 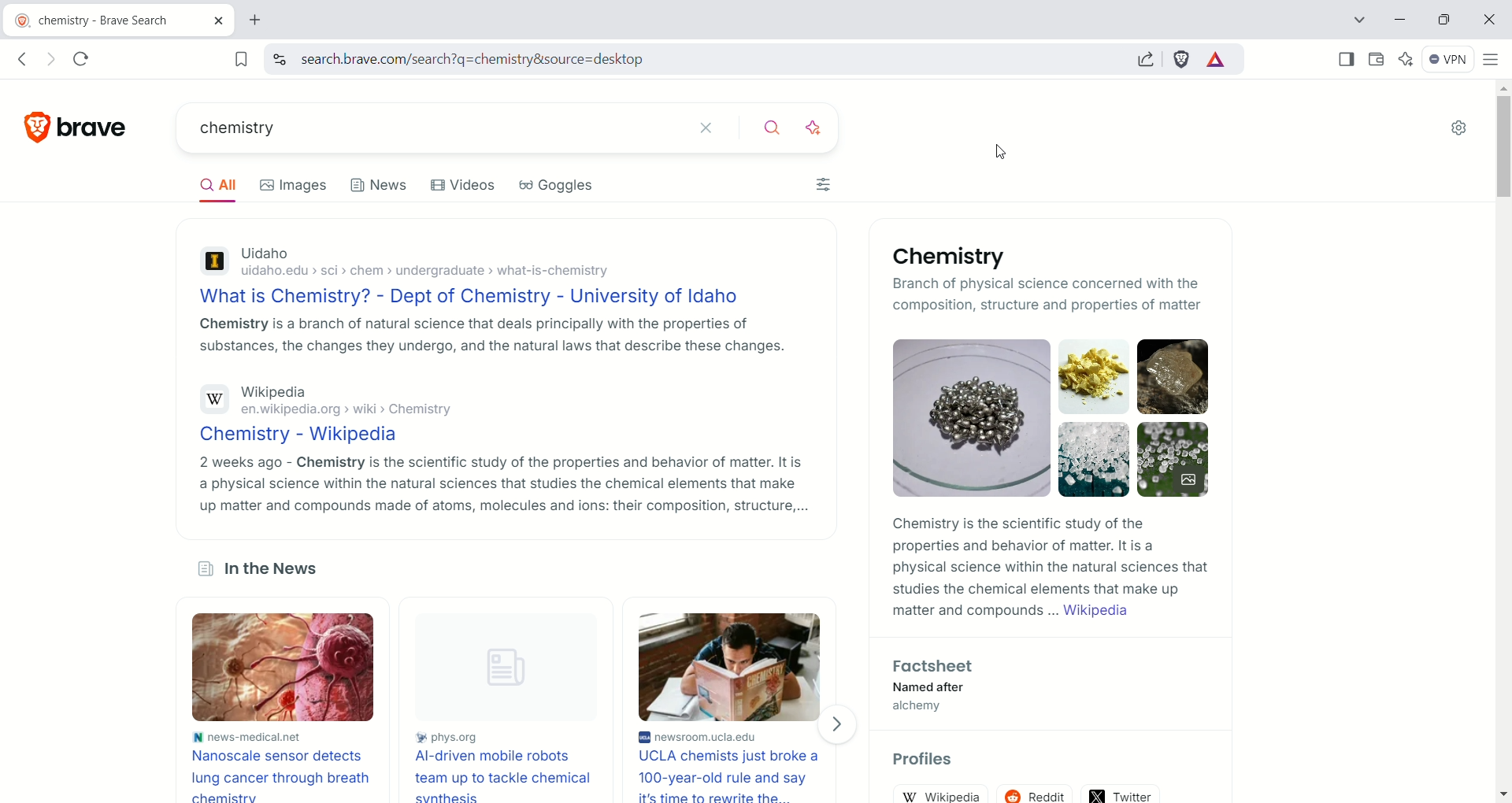 What do you see at coordinates (939, 666) in the screenshot?
I see `Factsheet` at bounding box center [939, 666].